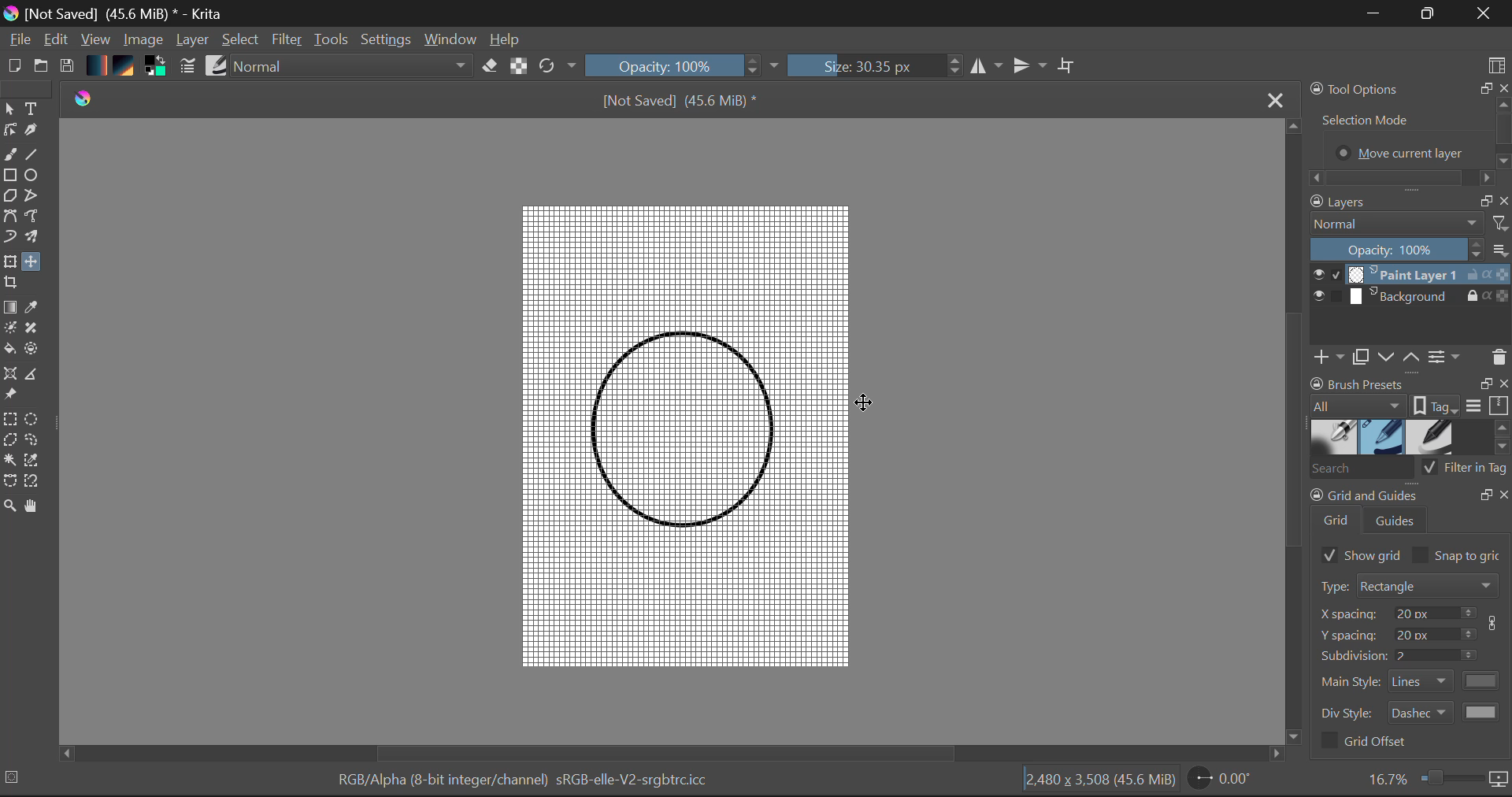  What do you see at coordinates (241, 40) in the screenshot?
I see `Select` at bounding box center [241, 40].